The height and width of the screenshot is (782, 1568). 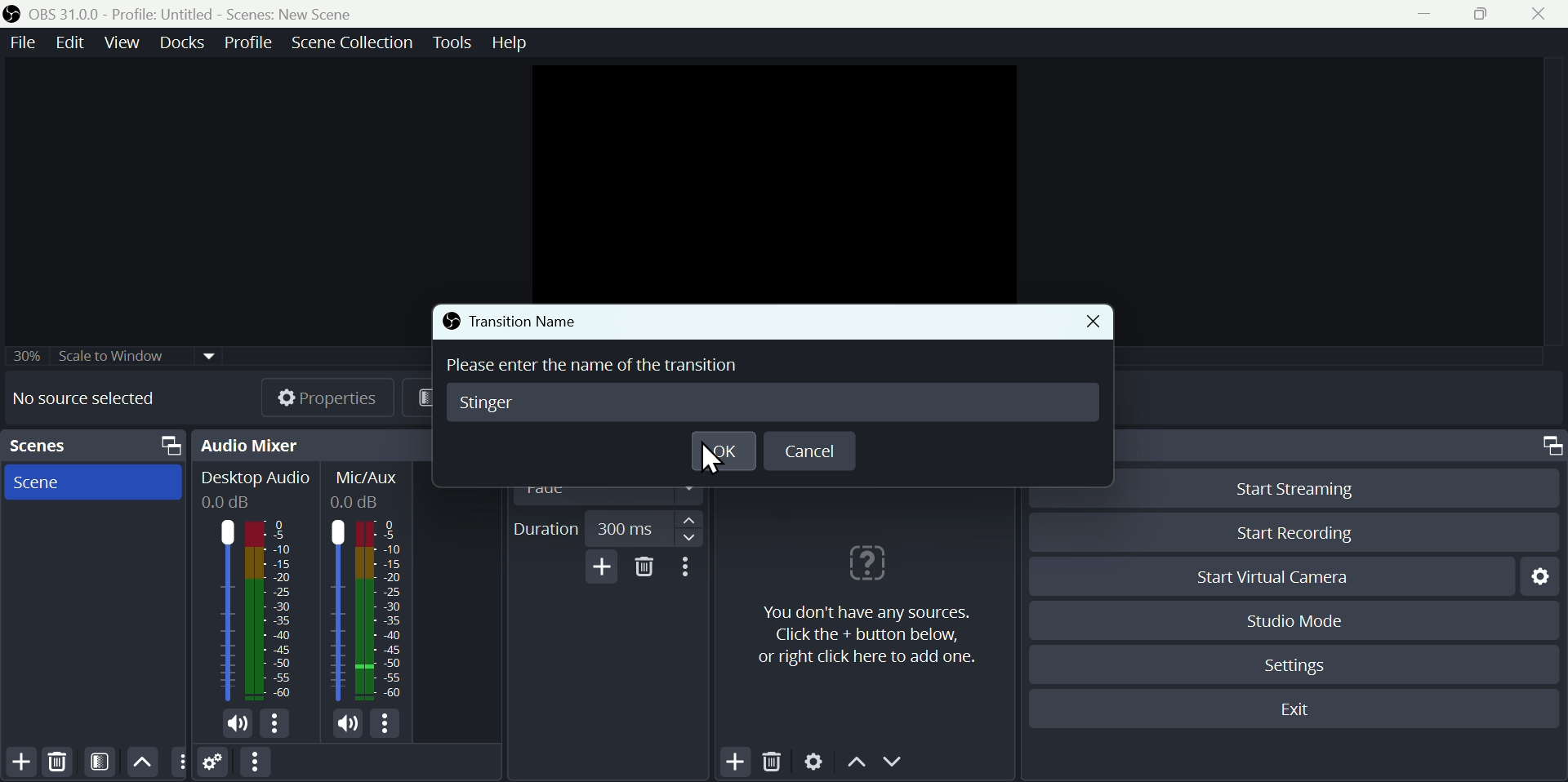 What do you see at coordinates (1289, 620) in the screenshot?
I see `Studio mode` at bounding box center [1289, 620].